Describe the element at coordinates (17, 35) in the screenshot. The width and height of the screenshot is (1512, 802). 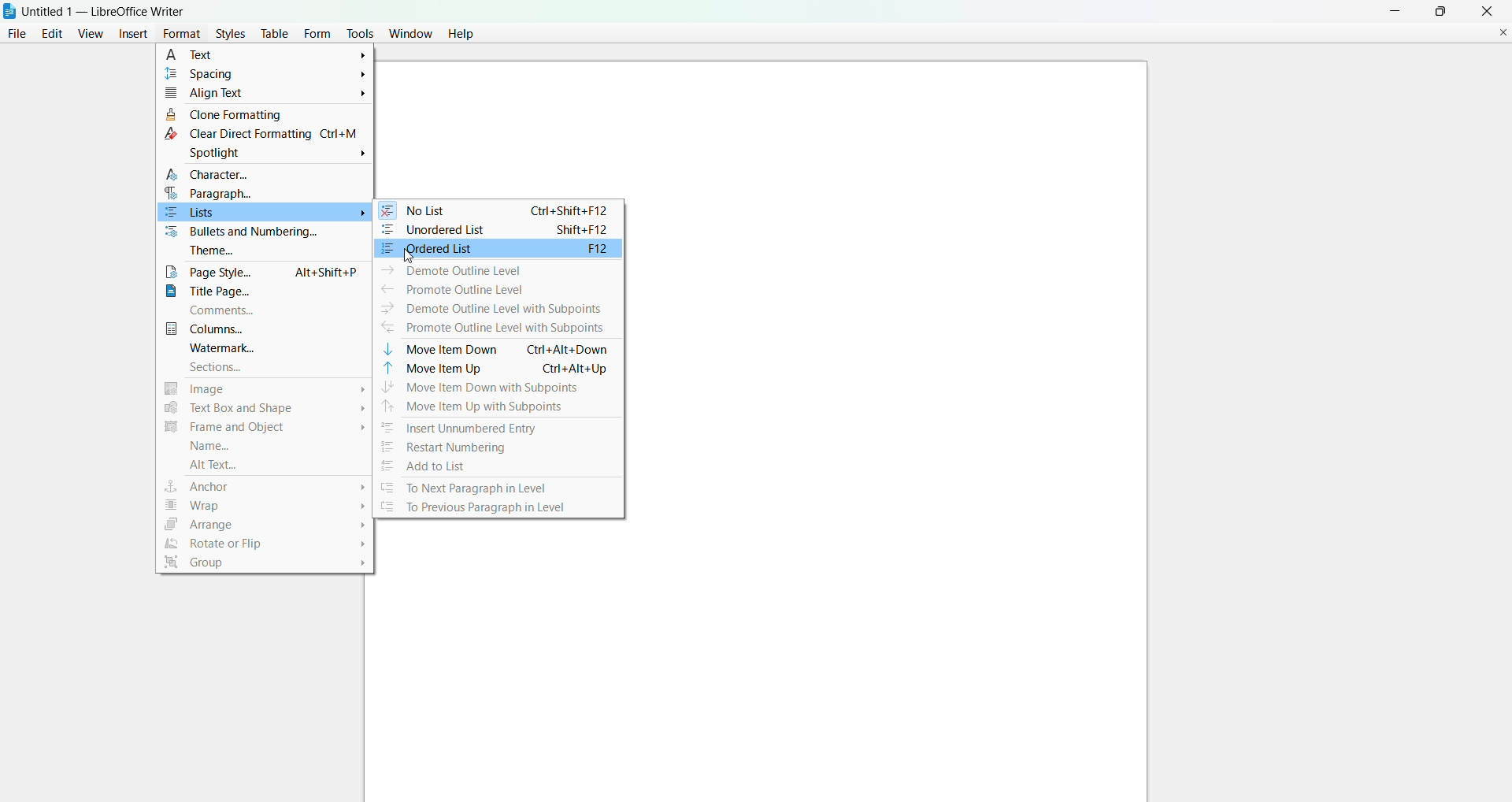
I see `file` at that location.